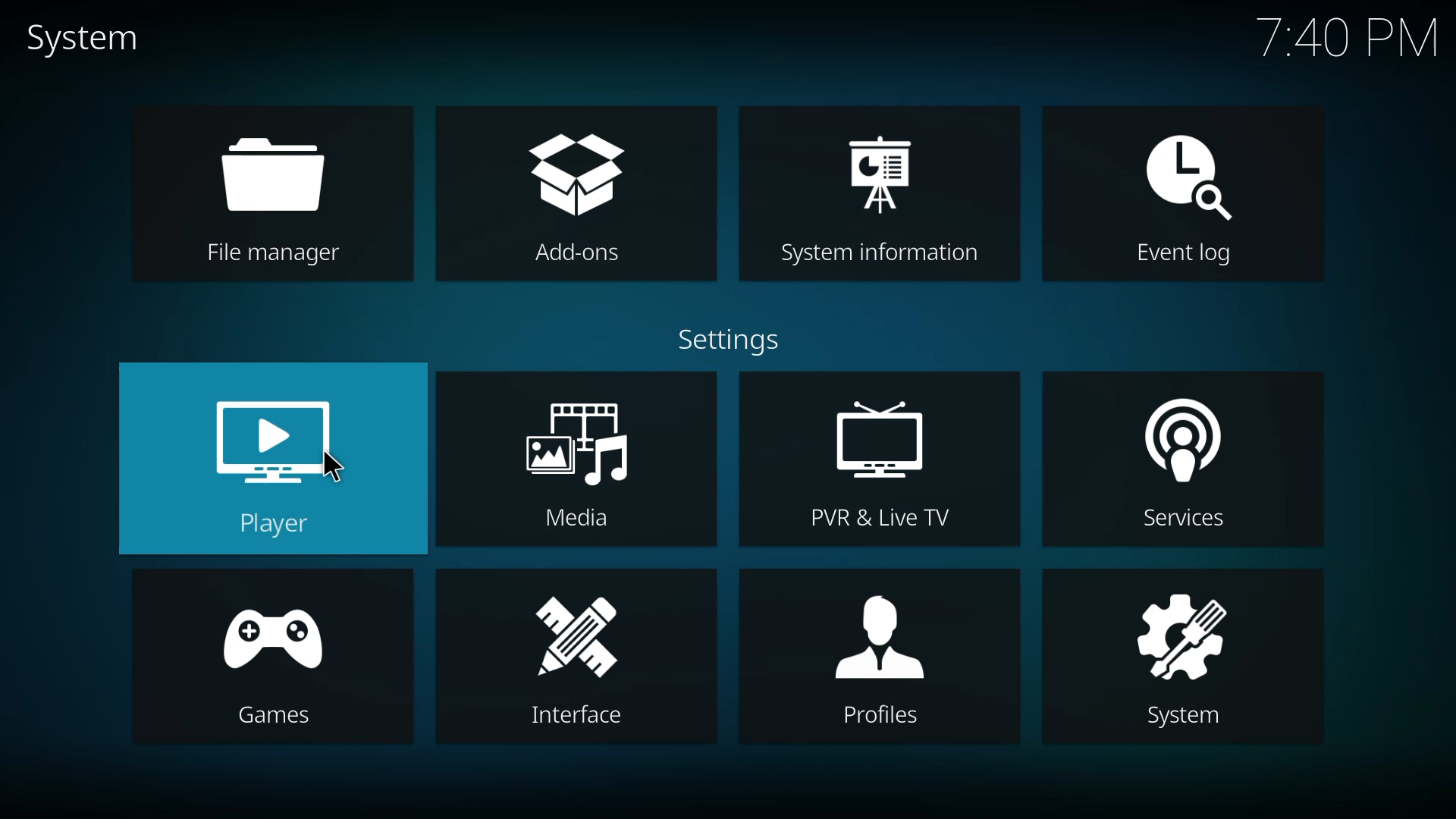  I want to click on services, so click(1175, 465).